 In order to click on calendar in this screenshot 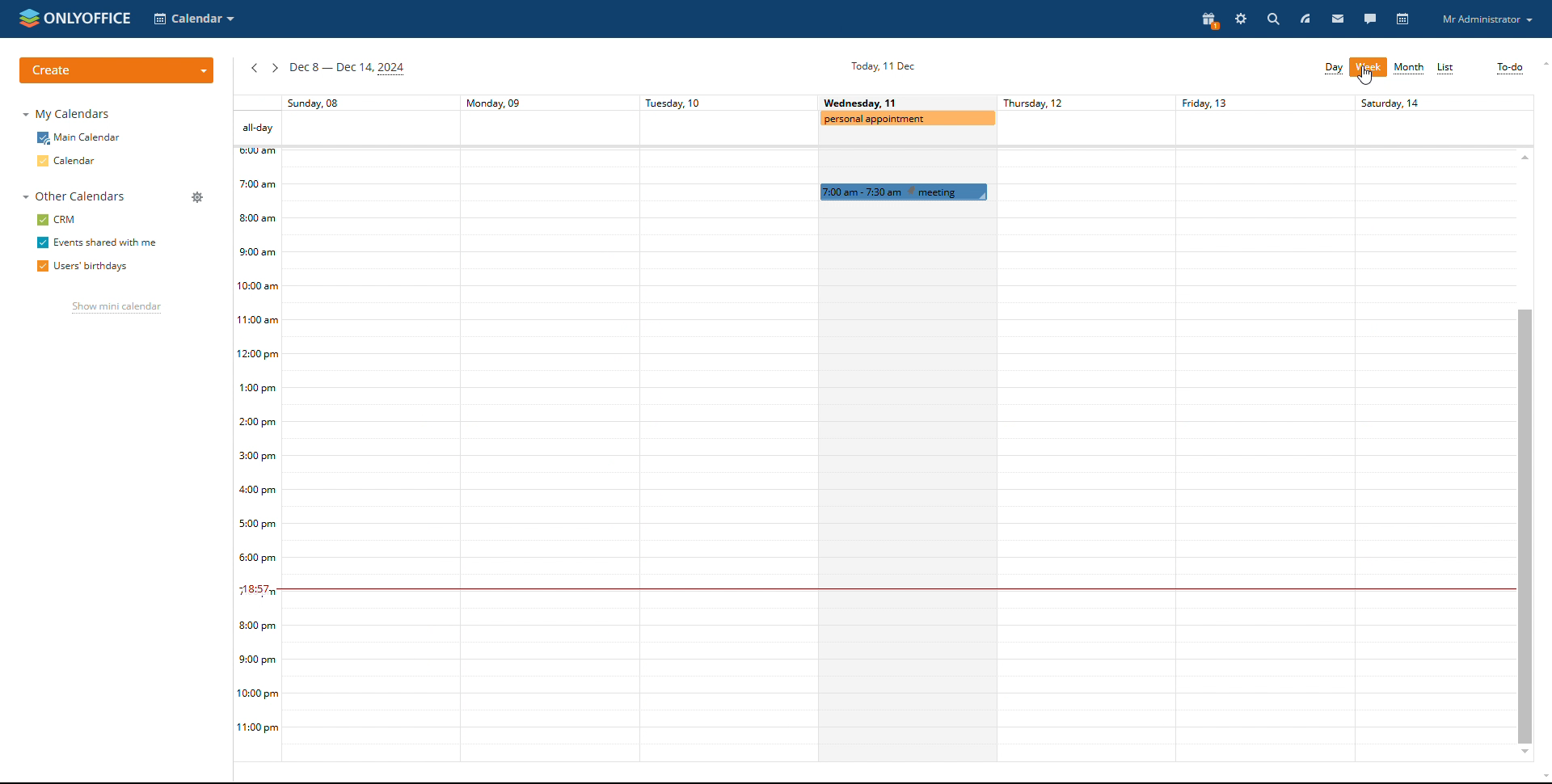, I will do `click(1402, 19)`.